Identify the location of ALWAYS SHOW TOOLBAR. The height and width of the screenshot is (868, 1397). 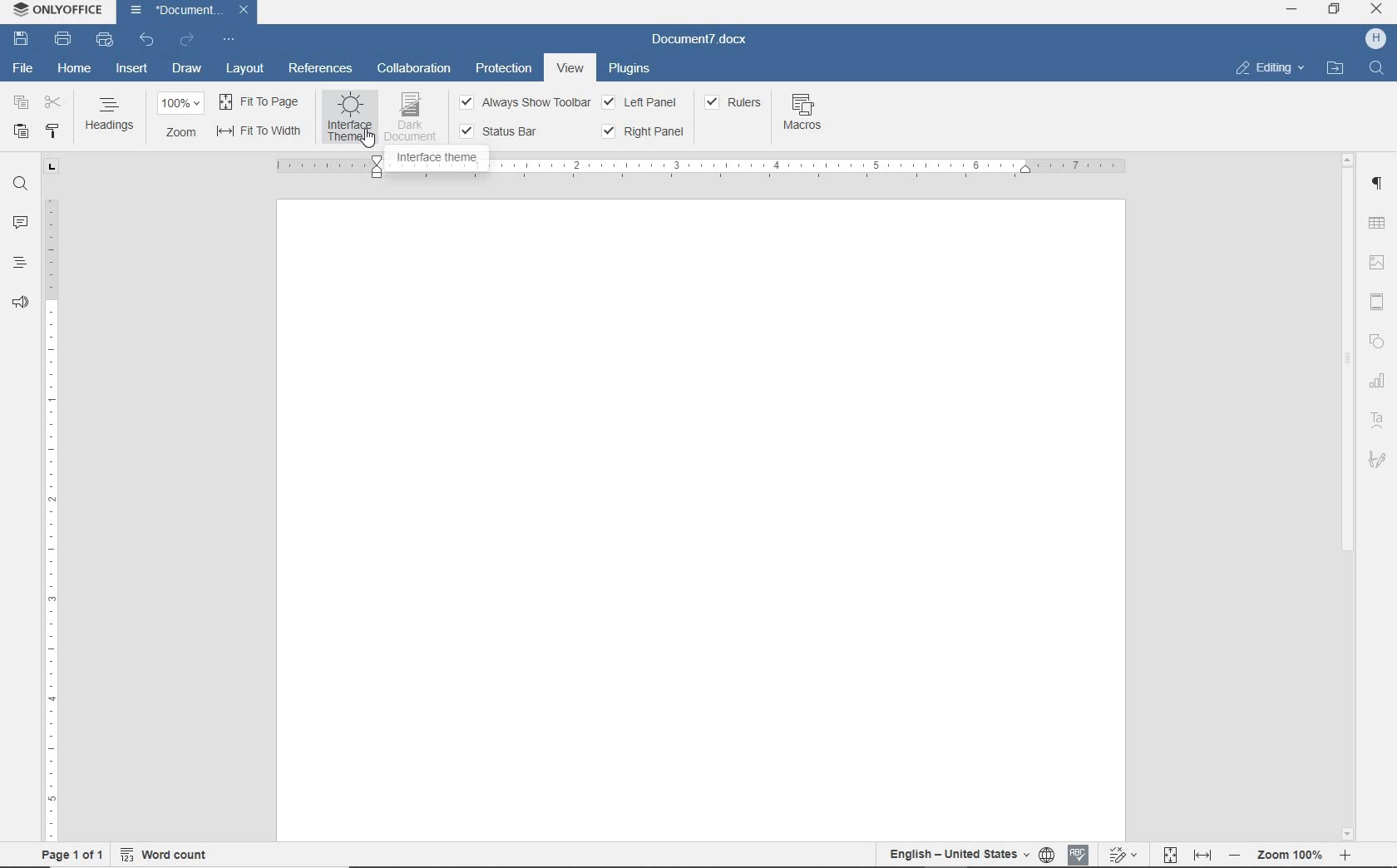
(526, 104).